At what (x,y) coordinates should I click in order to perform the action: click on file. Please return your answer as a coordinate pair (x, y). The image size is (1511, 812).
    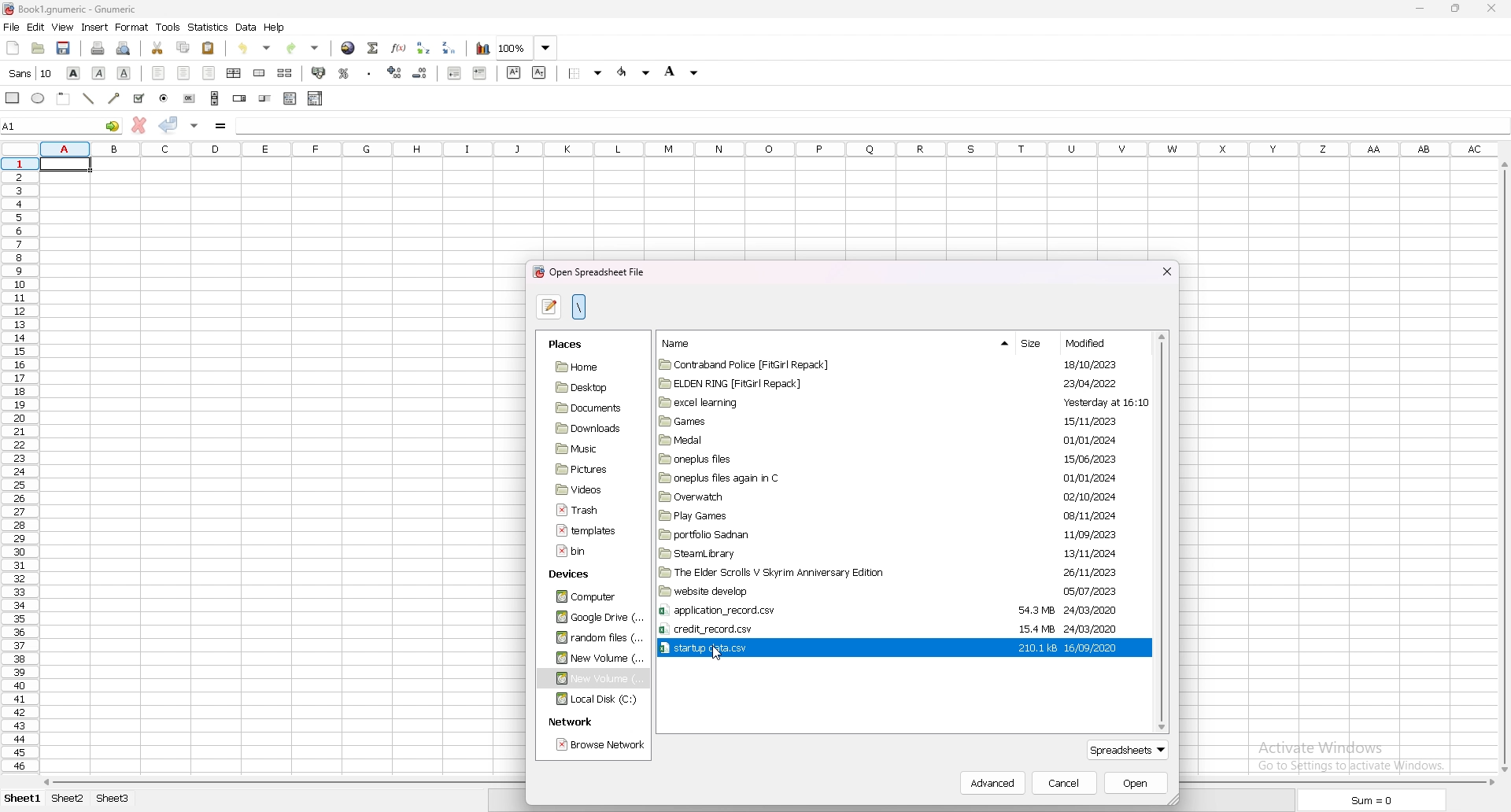
    Looking at the image, I should click on (586, 552).